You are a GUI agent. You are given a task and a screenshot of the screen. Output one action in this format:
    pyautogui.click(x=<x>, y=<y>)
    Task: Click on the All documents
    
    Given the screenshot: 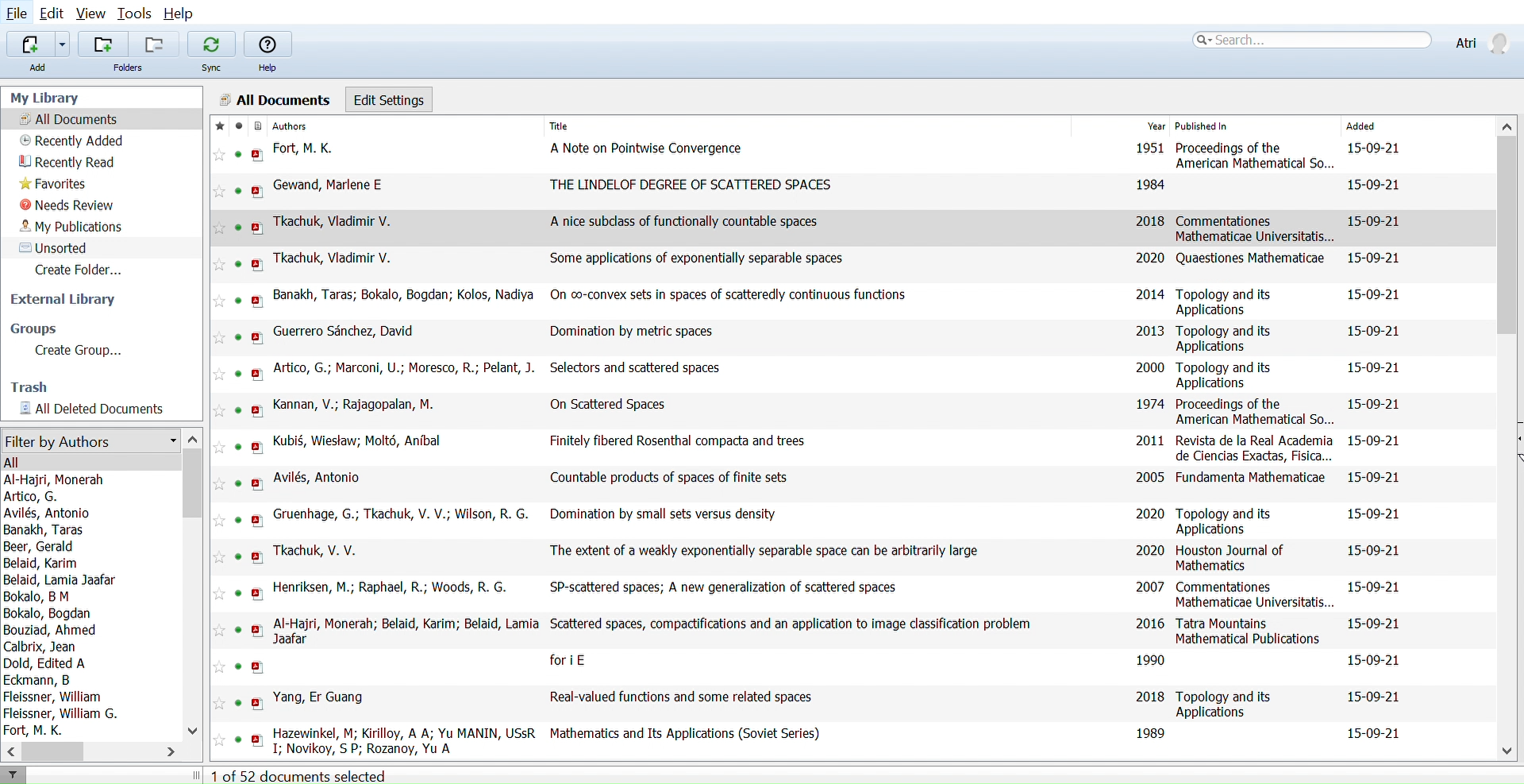 What is the action you would take?
    pyautogui.click(x=99, y=409)
    